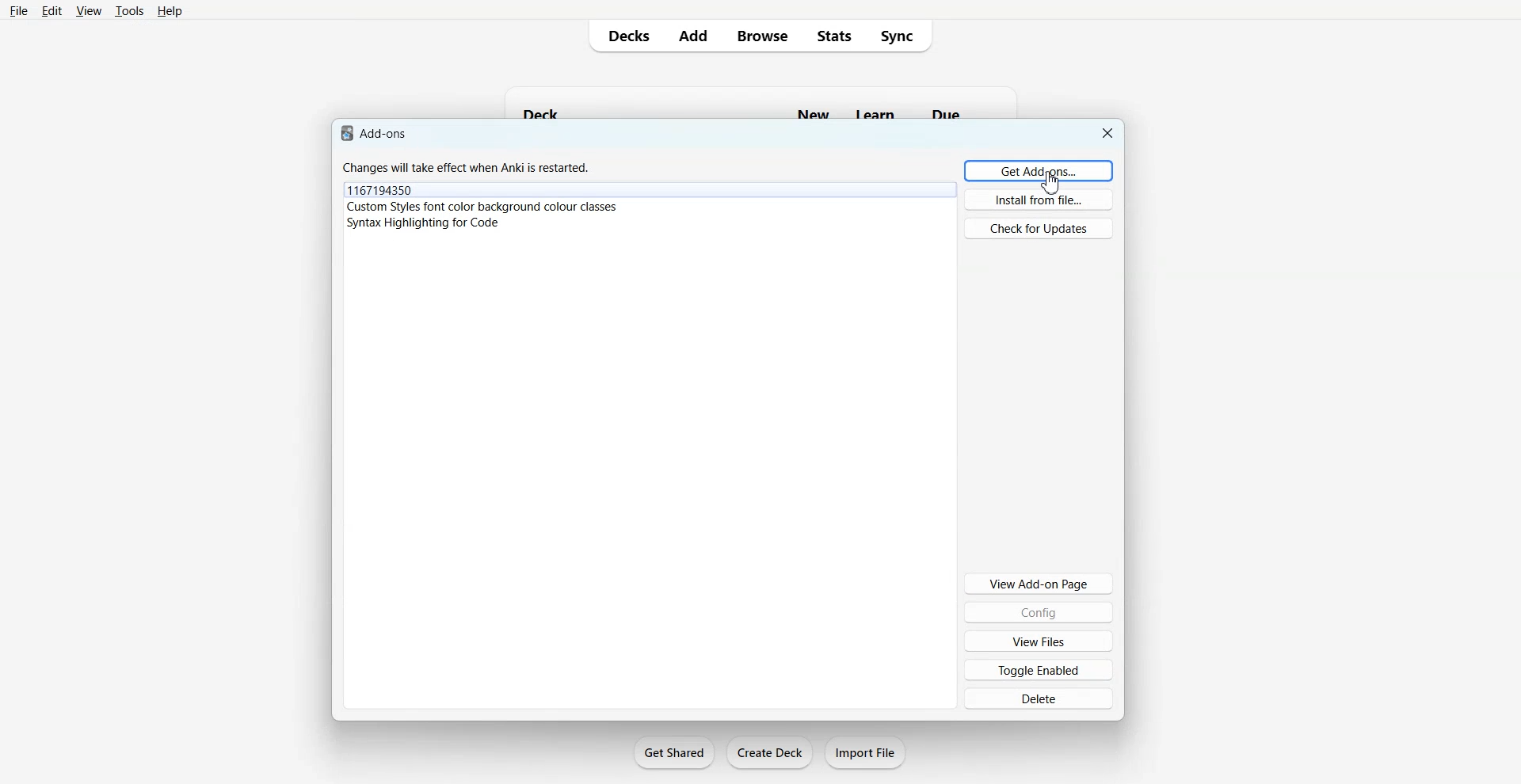 The width and height of the screenshot is (1521, 784). Describe the element at coordinates (763, 36) in the screenshot. I see `Browse` at that location.